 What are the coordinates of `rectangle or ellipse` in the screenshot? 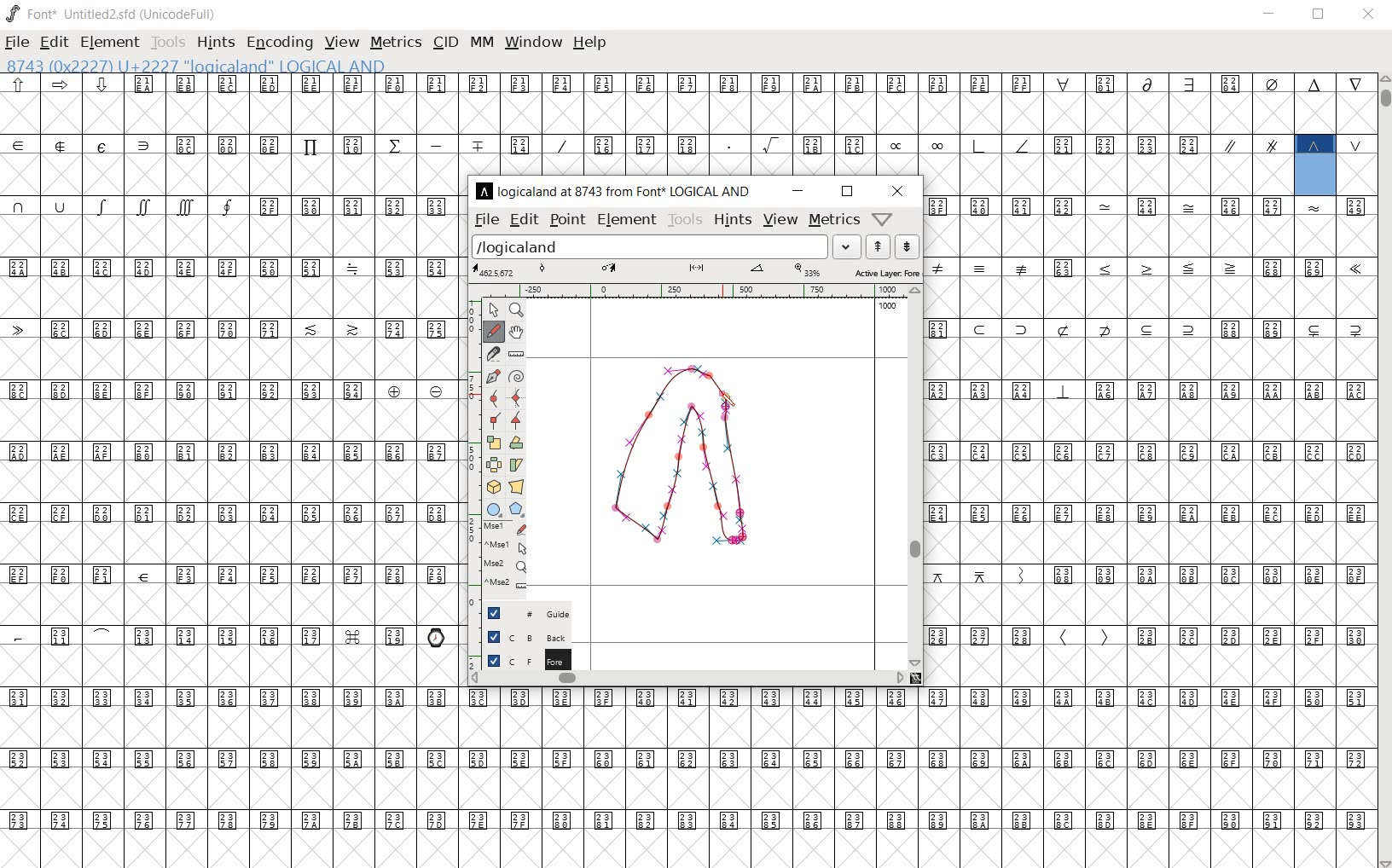 It's located at (492, 509).